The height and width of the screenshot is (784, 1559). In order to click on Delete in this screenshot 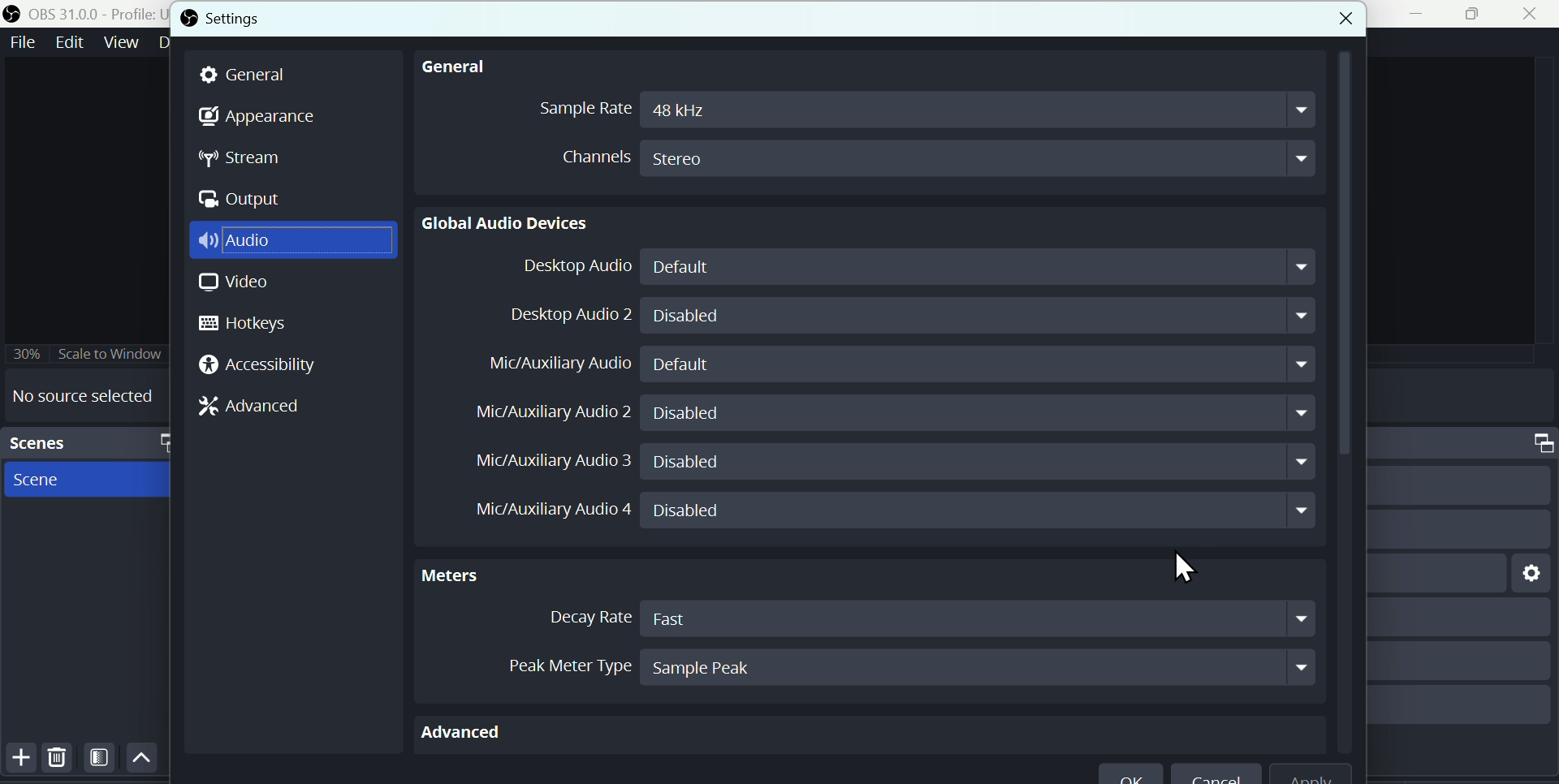, I will do `click(57, 760)`.